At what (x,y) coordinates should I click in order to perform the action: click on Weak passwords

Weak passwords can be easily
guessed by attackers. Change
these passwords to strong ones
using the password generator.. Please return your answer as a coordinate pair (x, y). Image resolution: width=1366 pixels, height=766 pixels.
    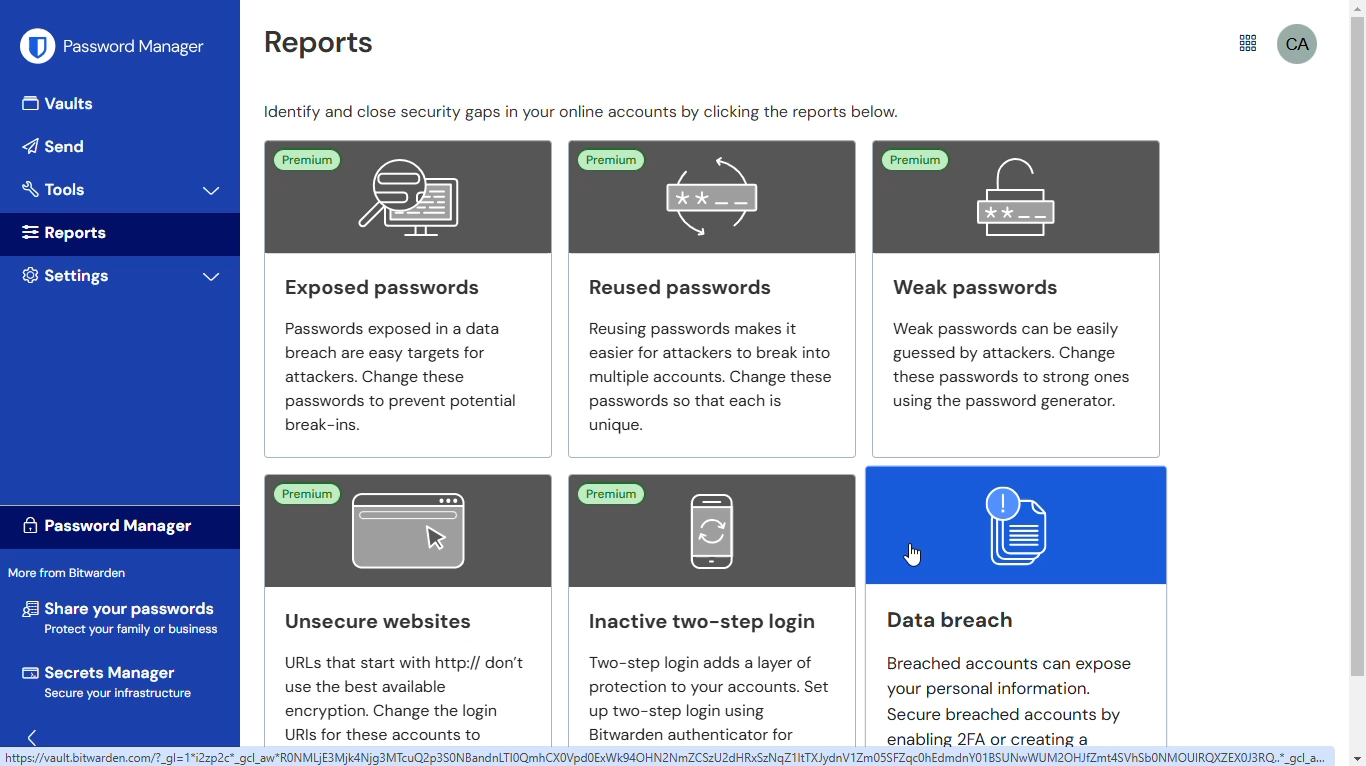
    Looking at the image, I should click on (1015, 345).